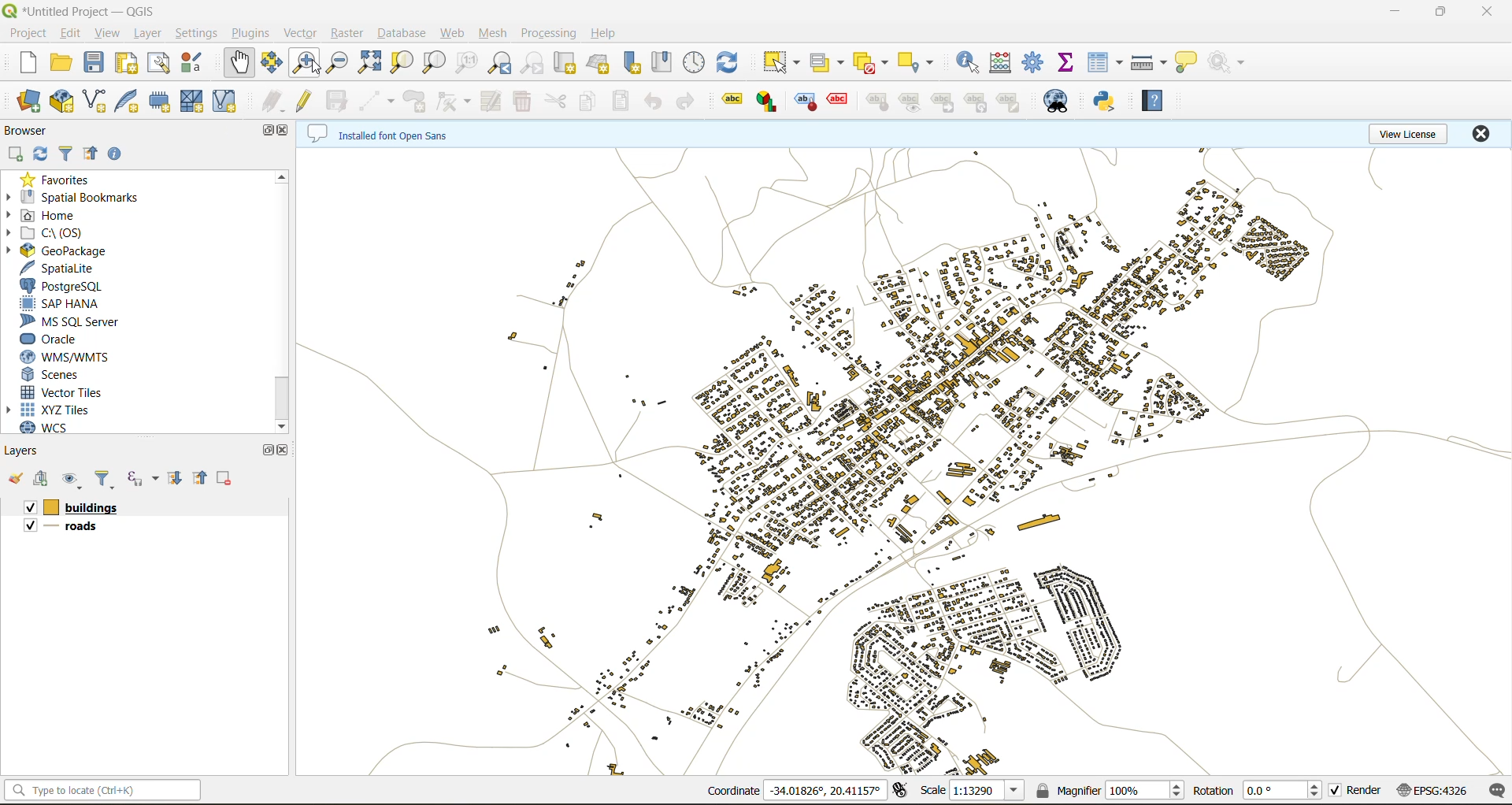  What do you see at coordinates (348, 35) in the screenshot?
I see `raster` at bounding box center [348, 35].